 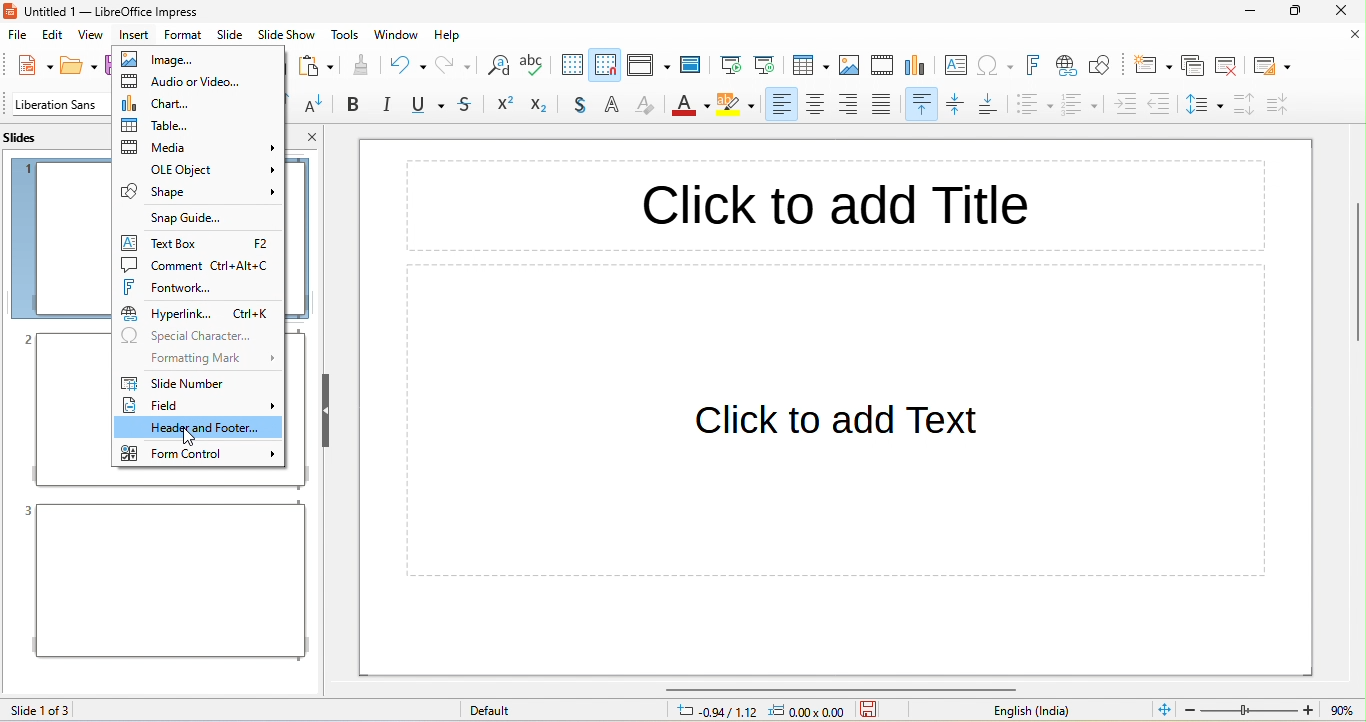 What do you see at coordinates (467, 106) in the screenshot?
I see `strikethrough` at bounding box center [467, 106].